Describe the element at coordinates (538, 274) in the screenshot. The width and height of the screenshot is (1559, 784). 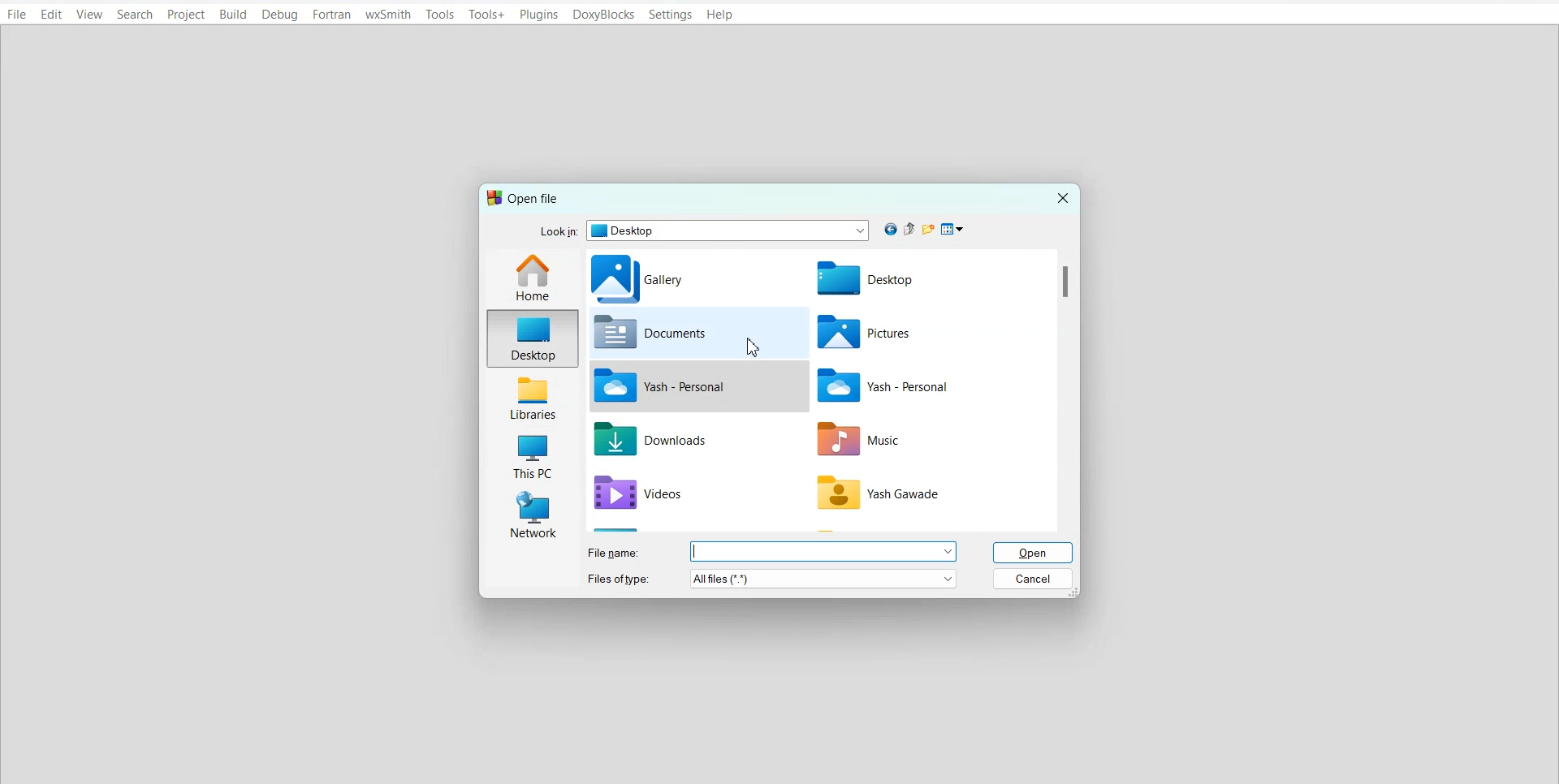
I see `Home` at that location.